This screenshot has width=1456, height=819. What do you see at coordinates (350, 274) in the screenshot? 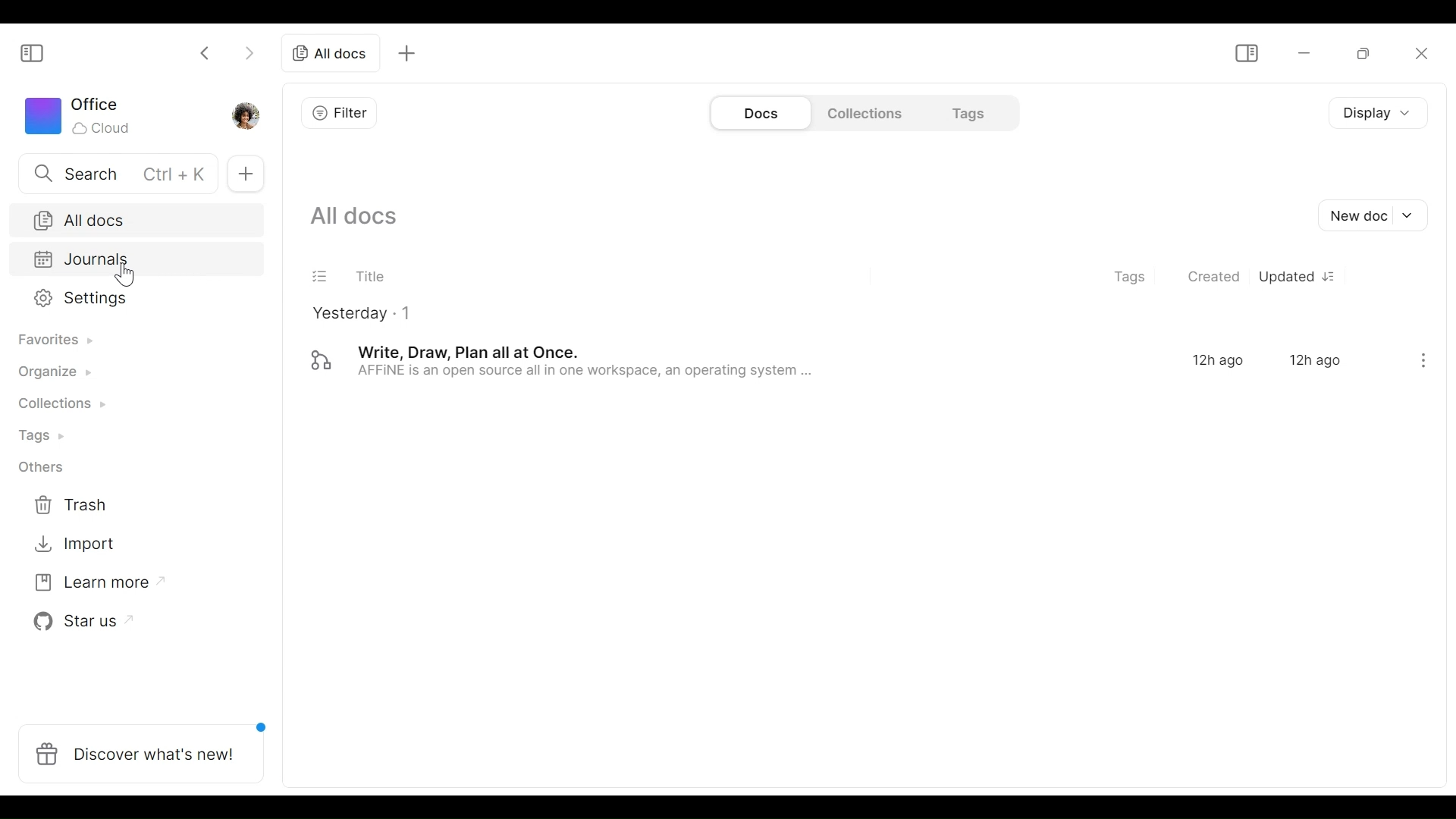
I see `Title` at bounding box center [350, 274].